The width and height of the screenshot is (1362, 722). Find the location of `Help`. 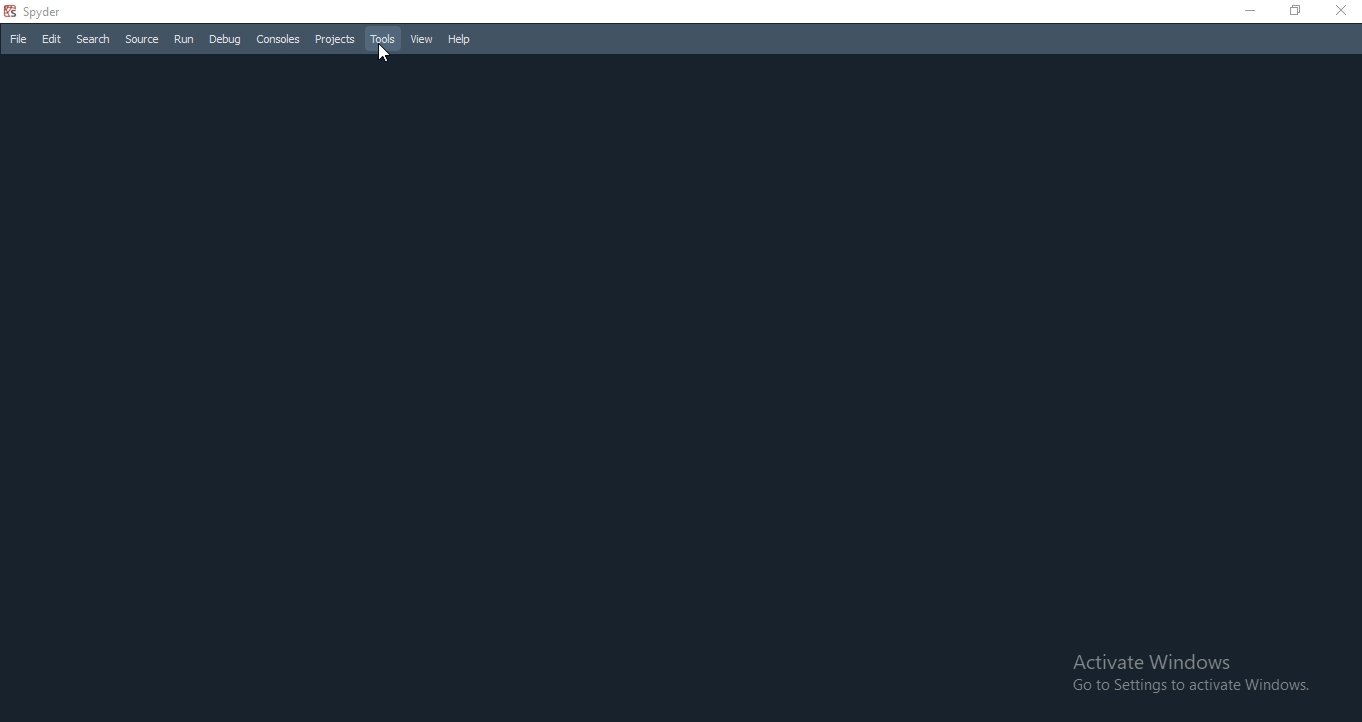

Help is located at coordinates (460, 39).